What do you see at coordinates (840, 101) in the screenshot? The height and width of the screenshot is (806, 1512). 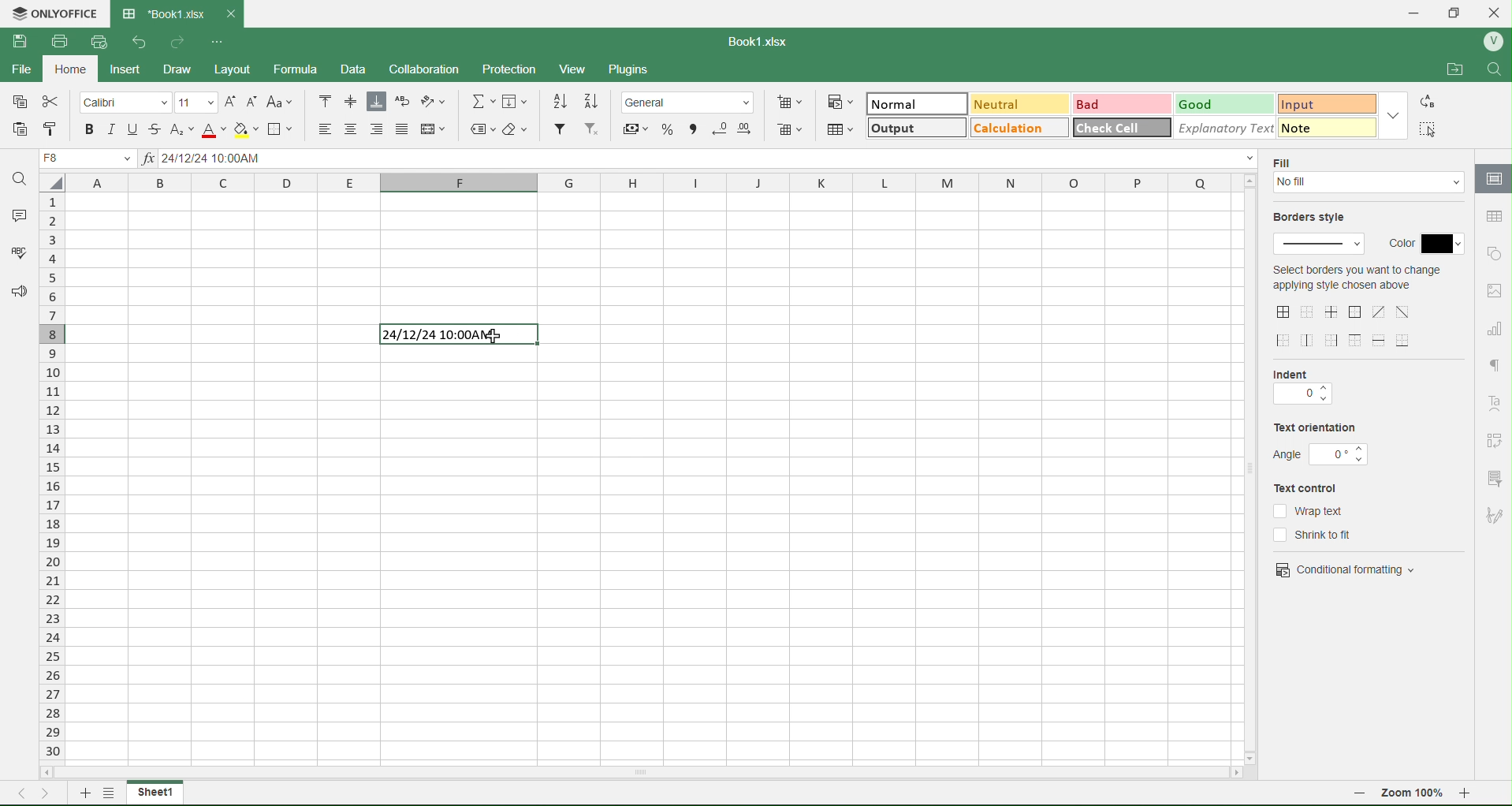 I see `Conditional Formating` at bounding box center [840, 101].